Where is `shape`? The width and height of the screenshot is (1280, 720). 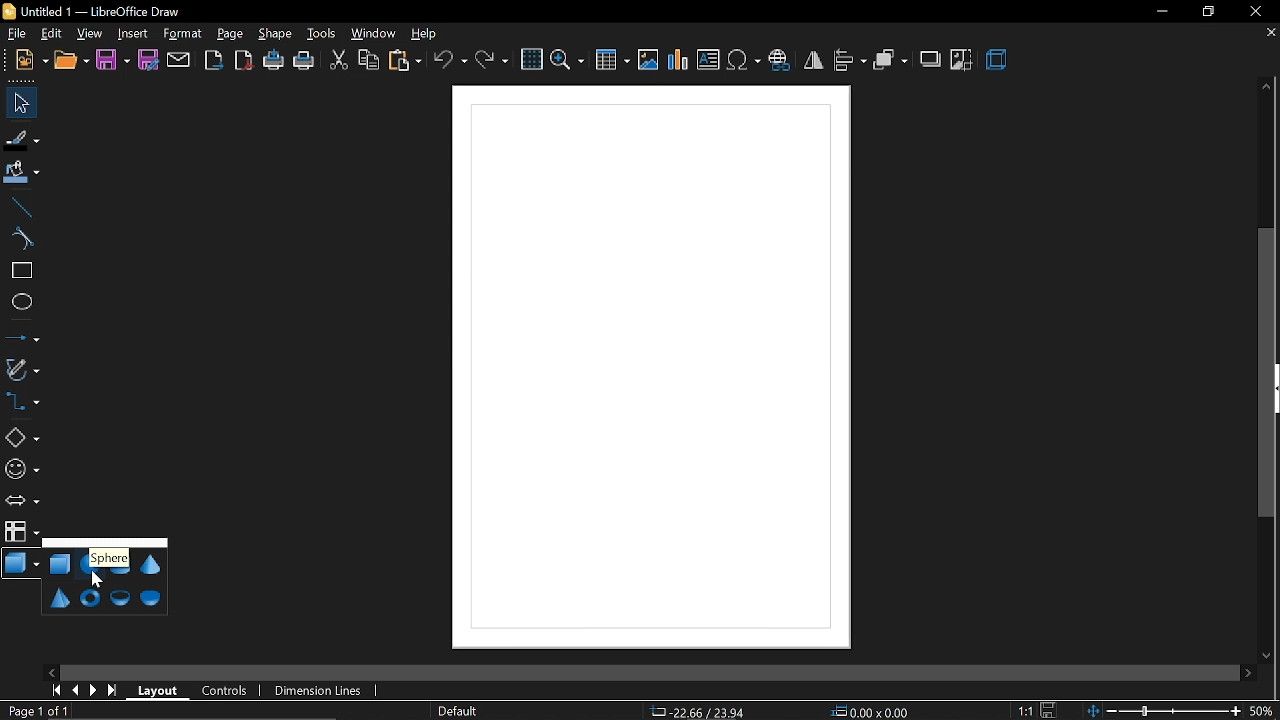 shape is located at coordinates (277, 35).